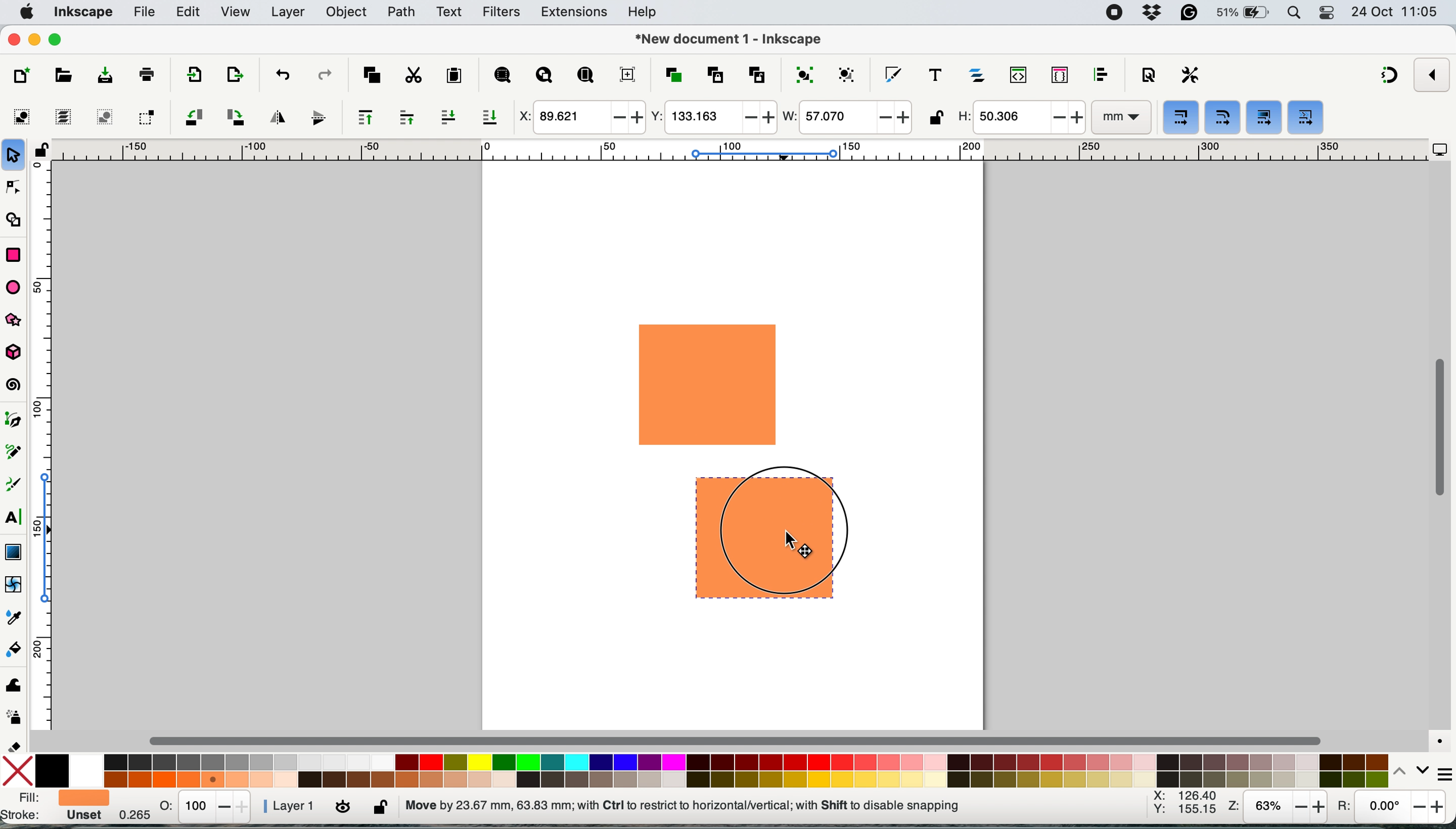 The width and height of the screenshot is (1456, 829). What do you see at coordinates (237, 13) in the screenshot?
I see `view` at bounding box center [237, 13].